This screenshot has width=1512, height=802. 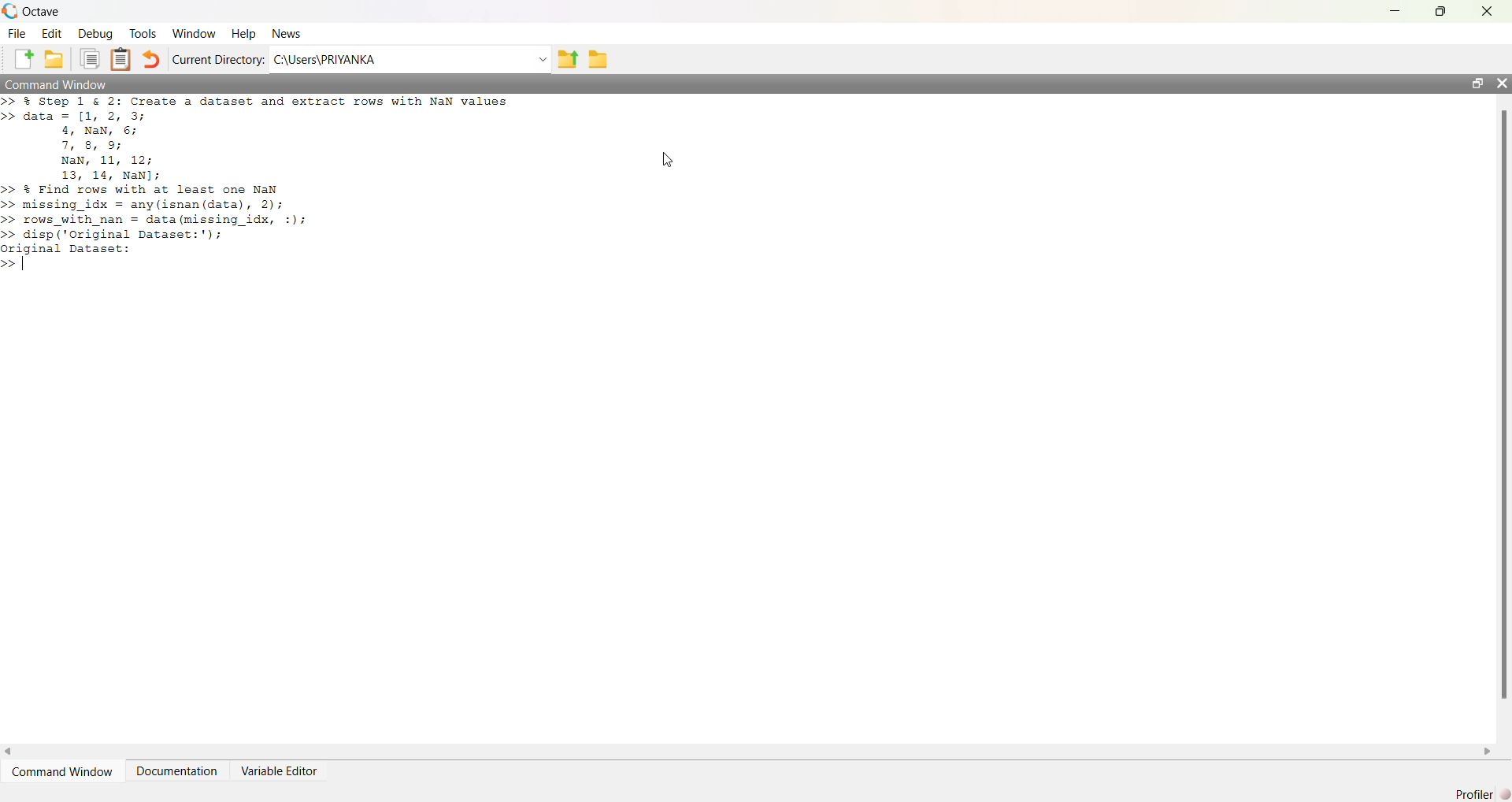 What do you see at coordinates (9, 11) in the screenshot?
I see `logo` at bounding box center [9, 11].